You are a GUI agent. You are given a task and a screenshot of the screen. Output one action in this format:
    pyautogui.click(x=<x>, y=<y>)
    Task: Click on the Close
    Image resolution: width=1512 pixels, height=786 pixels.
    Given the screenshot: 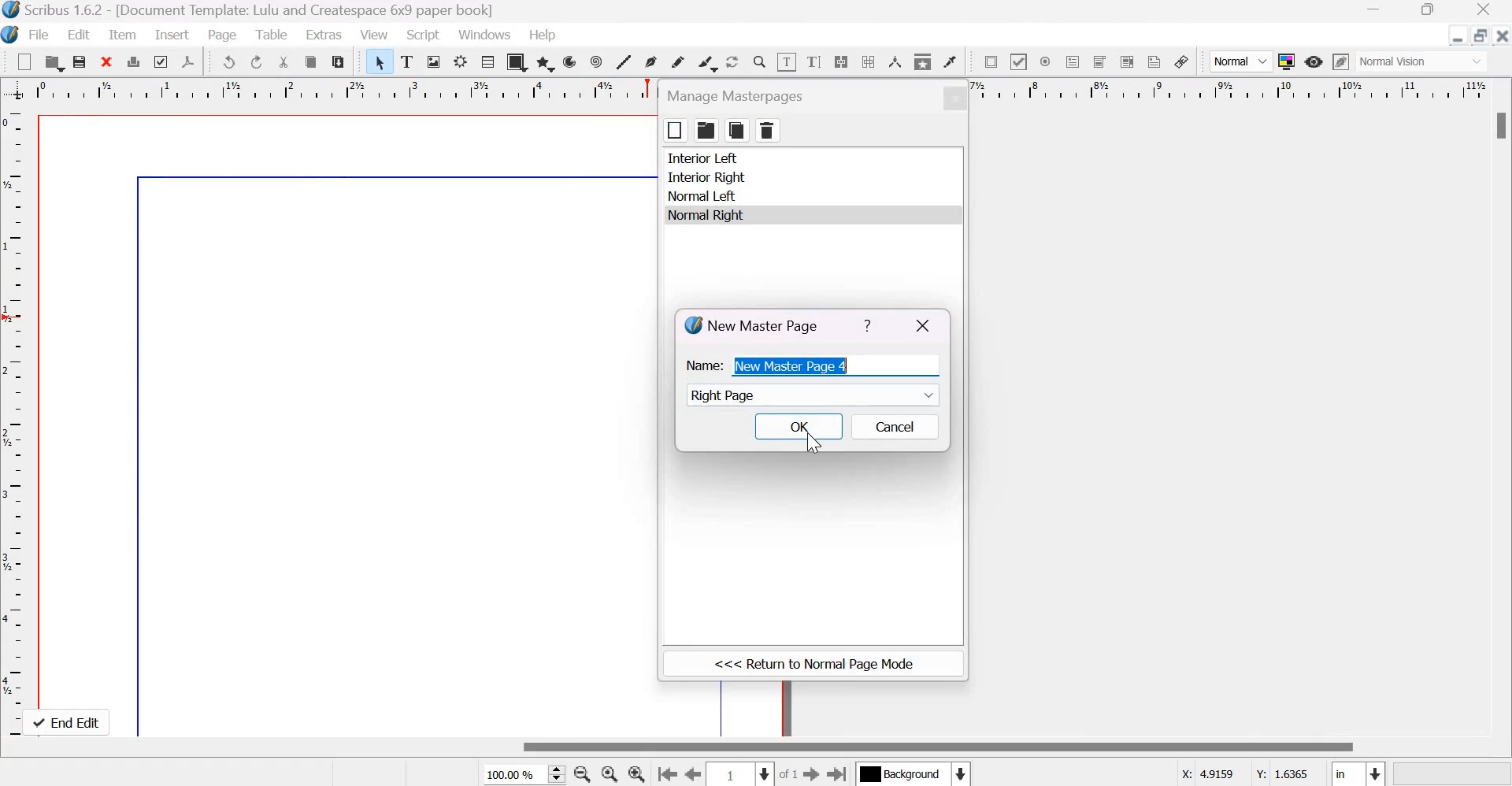 What is the action you would take?
    pyautogui.click(x=1503, y=35)
    